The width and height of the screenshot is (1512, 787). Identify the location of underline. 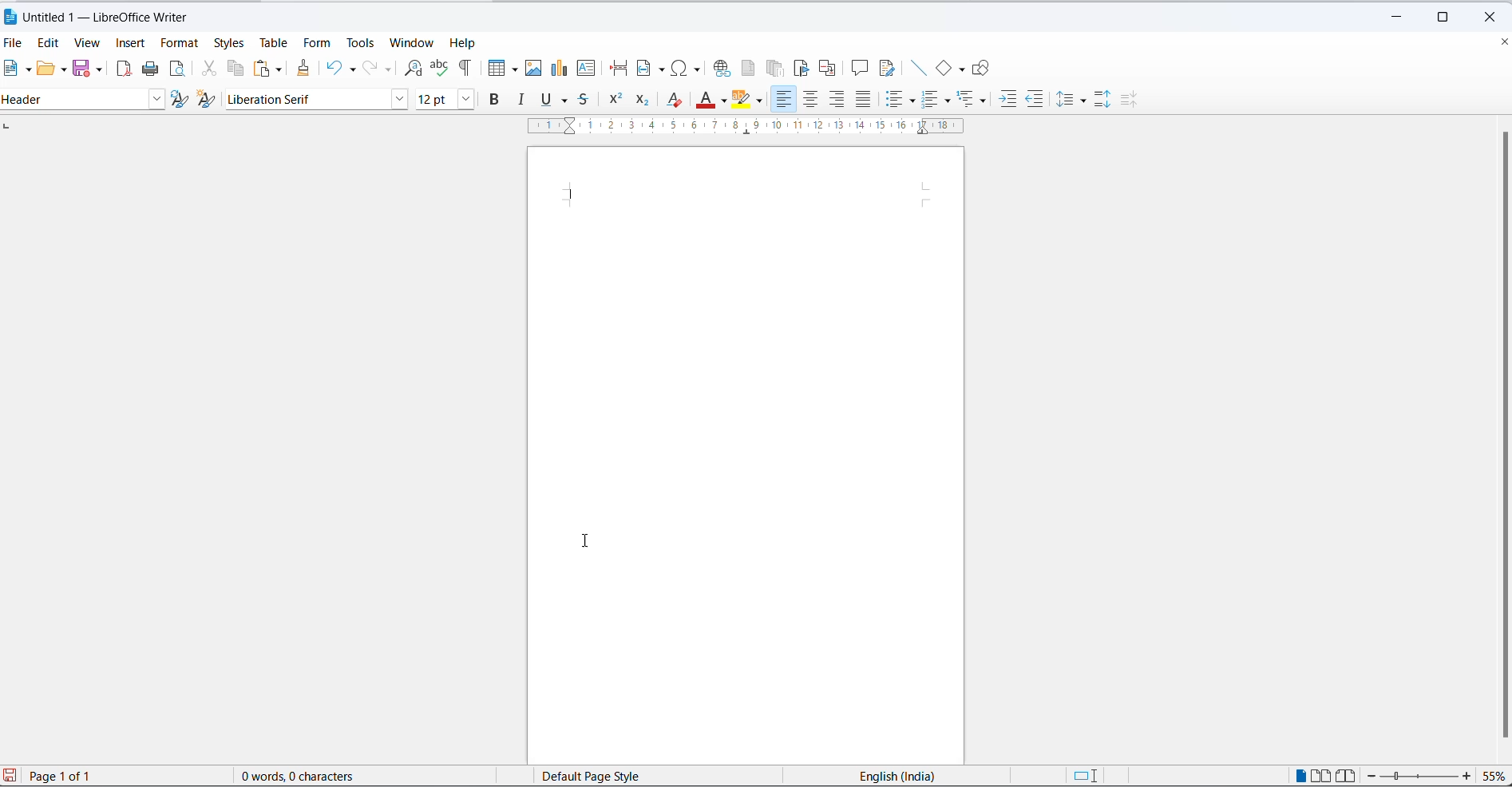
(544, 100).